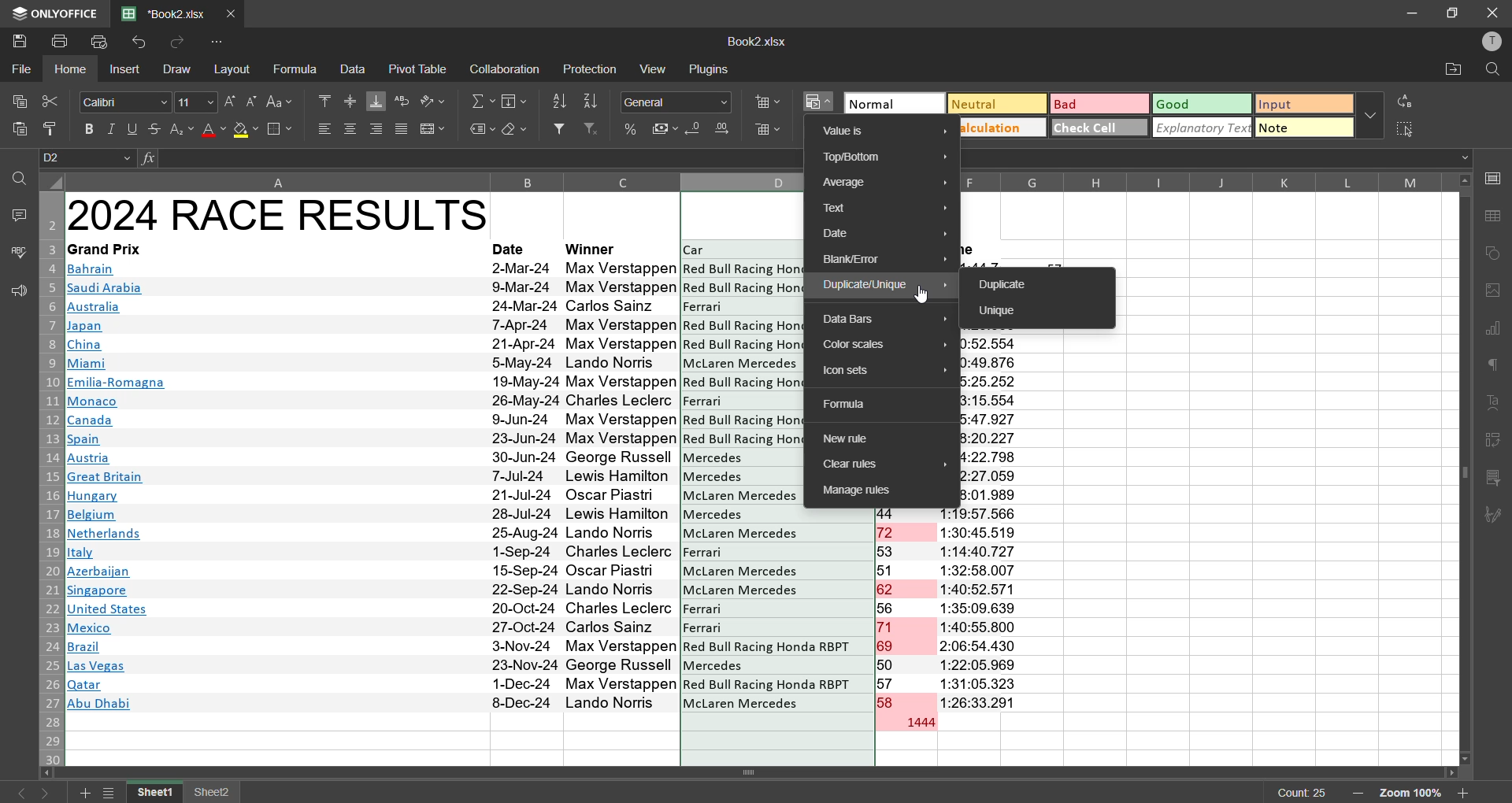 This screenshot has width=1512, height=803. I want to click on comments, so click(17, 213).